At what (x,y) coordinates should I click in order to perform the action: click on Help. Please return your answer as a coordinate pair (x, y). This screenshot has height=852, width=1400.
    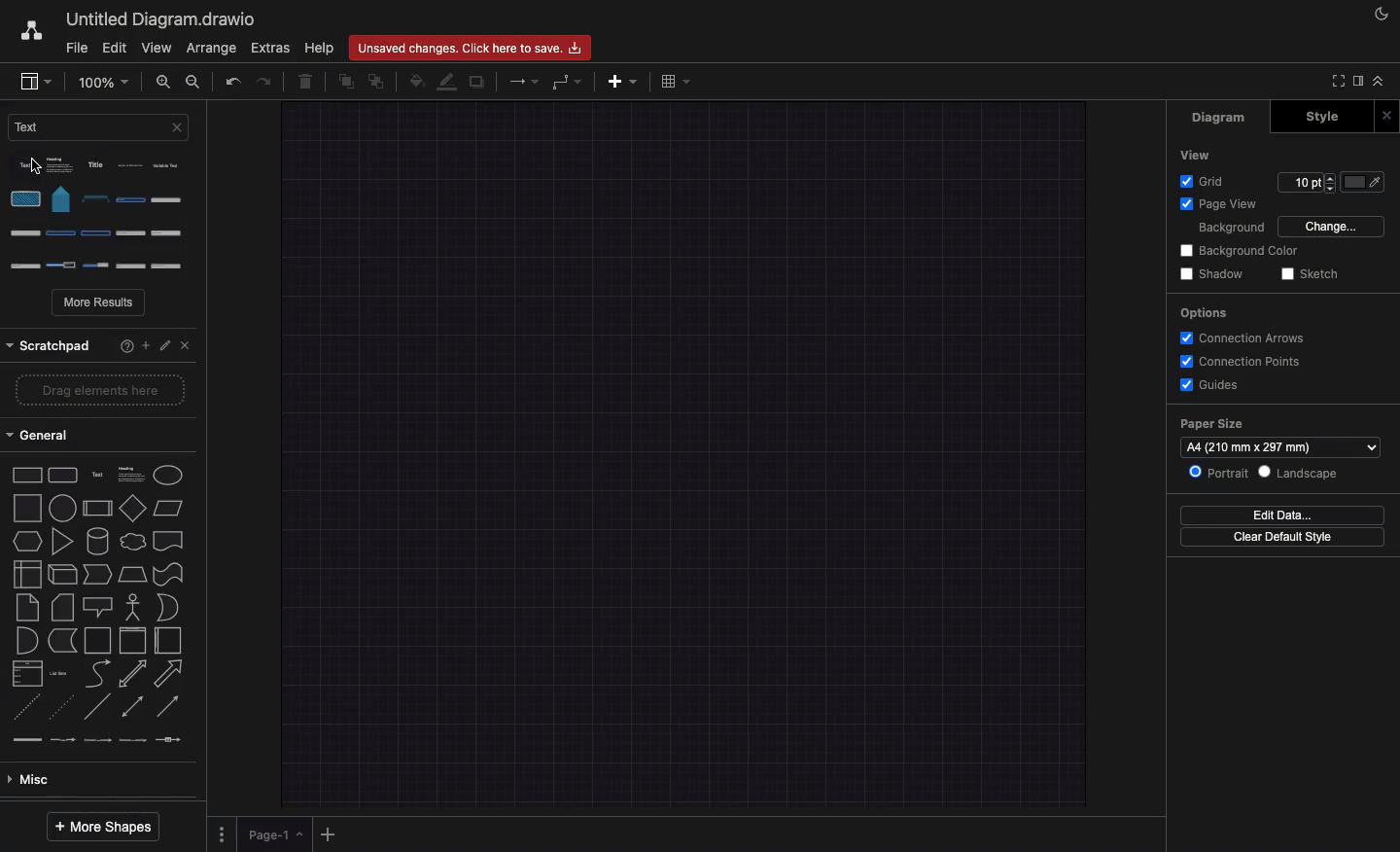
    Looking at the image, I should click on (320, 48).